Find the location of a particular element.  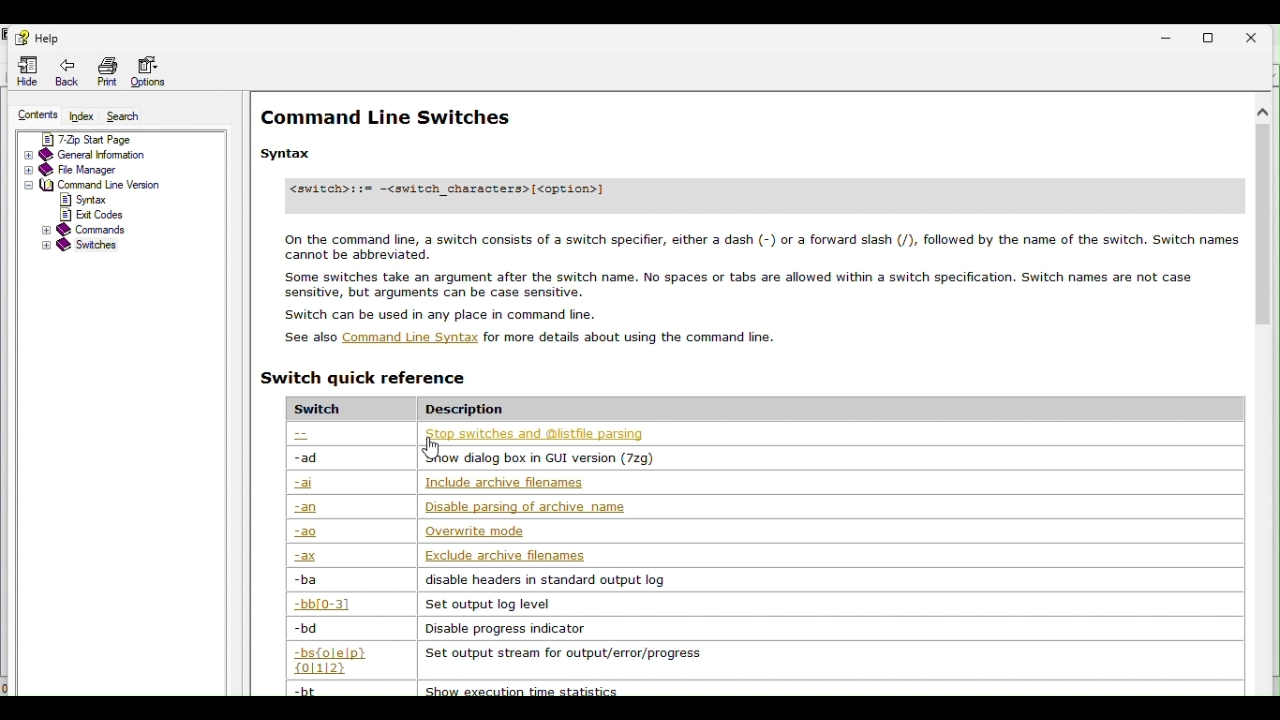

‘disable headers in standard output log is located at coordinates (555, 579).